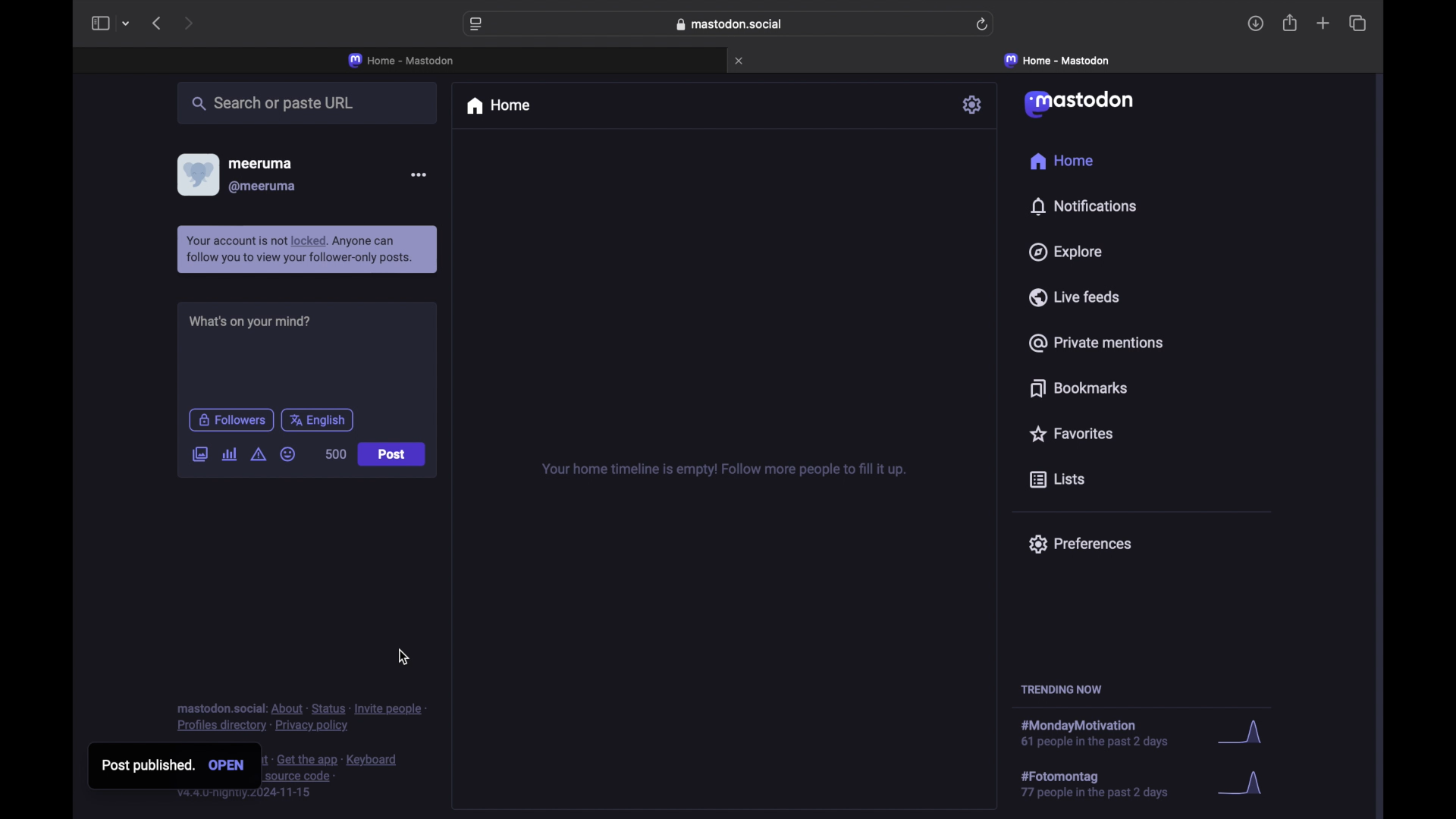 The image size is (1456, 819). Describe the element at coordinates (1256, 25) in the screenshot. I see `downloads` at that location.